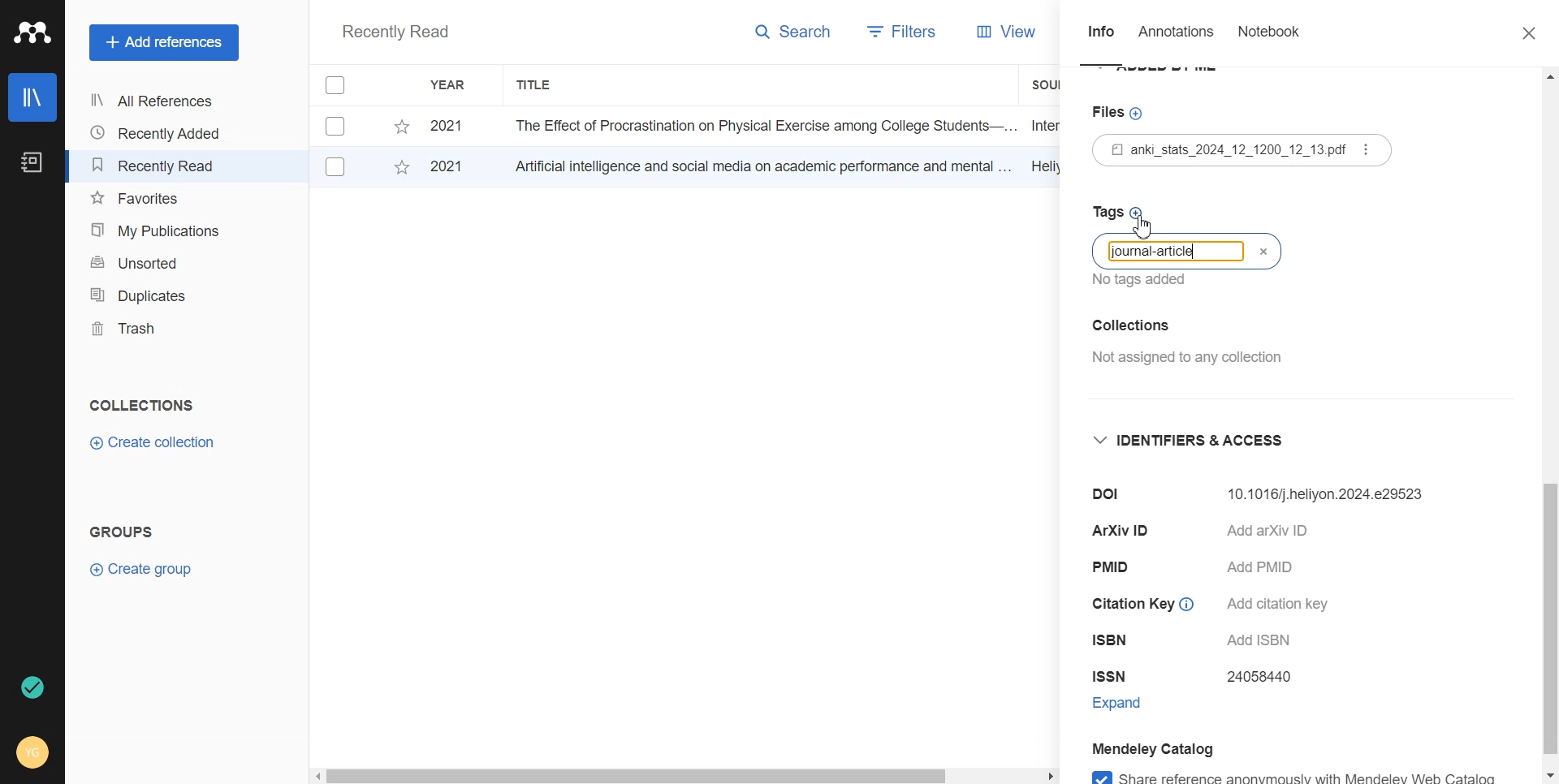 Image resolution: width=1559 pixels, height=784 pixels. I want to click on Duplicates, so click(159, 295).